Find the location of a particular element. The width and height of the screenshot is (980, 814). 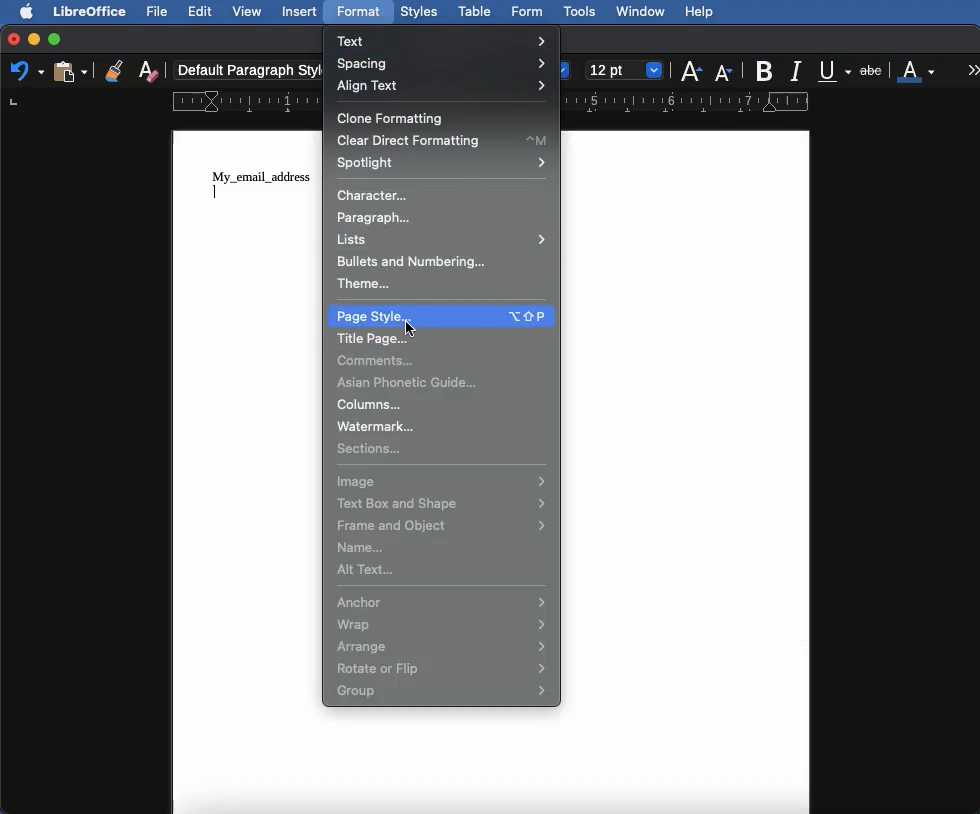

Alt text is located at coordinates (369, 570).